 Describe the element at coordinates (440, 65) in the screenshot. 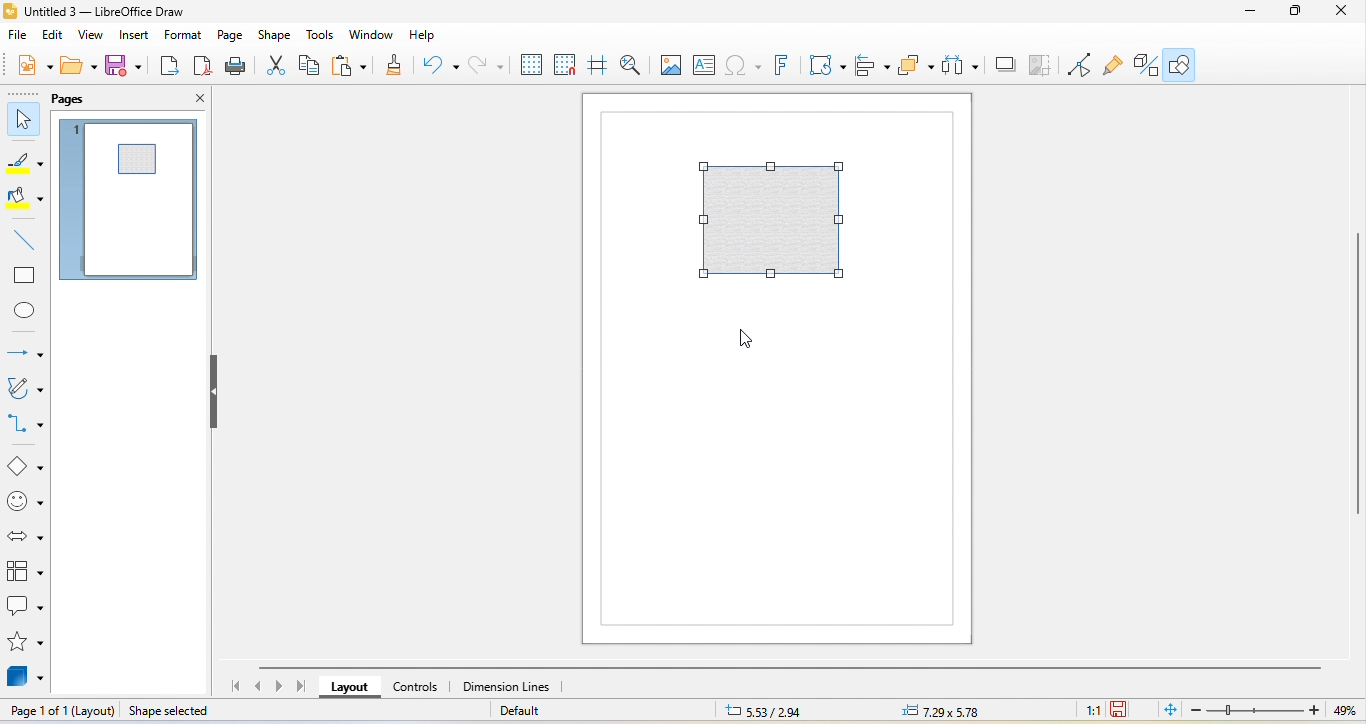

I see `undo` at that location.